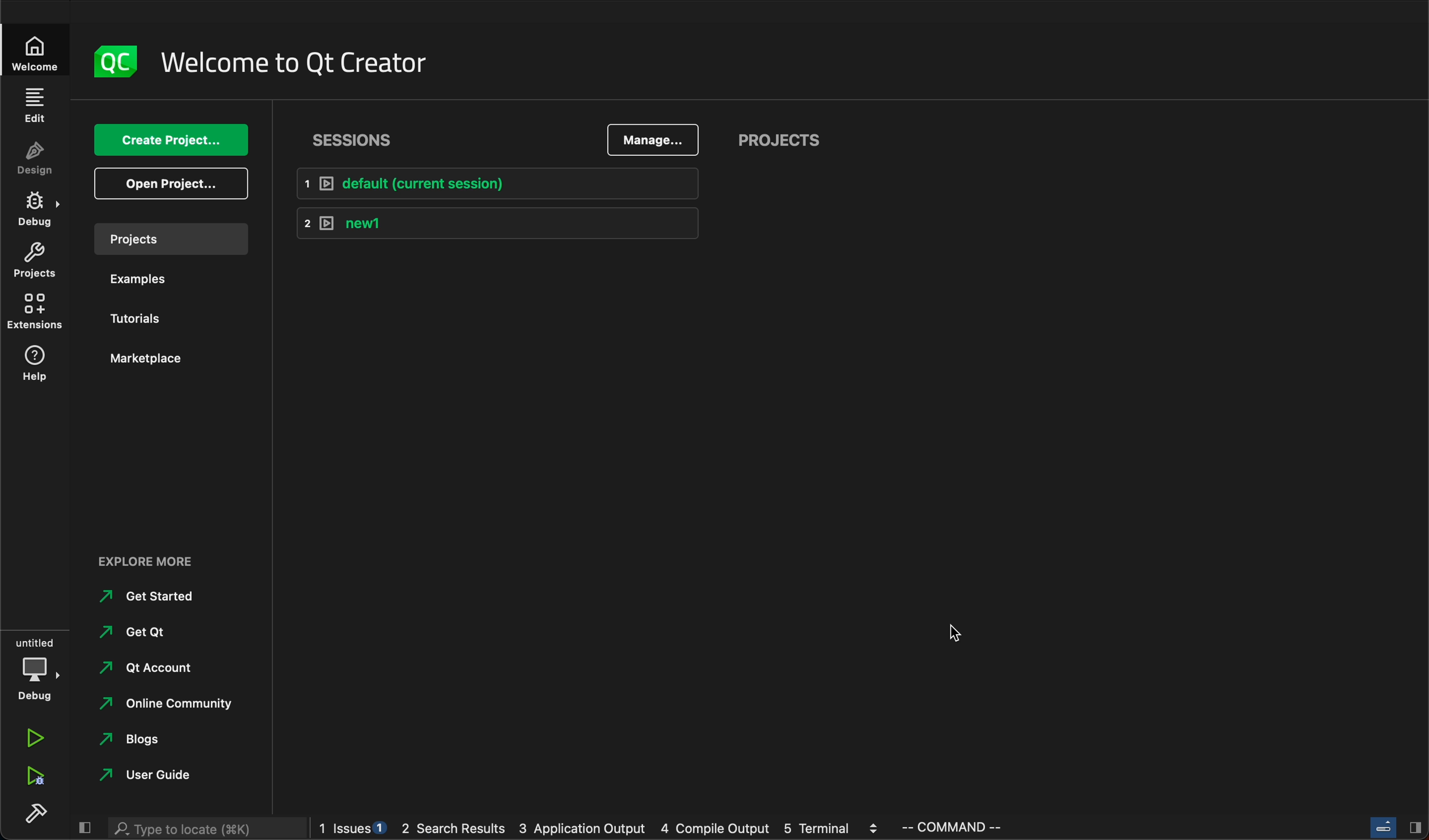  What do you see at coordinates (146, 359) in the screenshot?
I see `marketplace` at bounding box center [146, 359].